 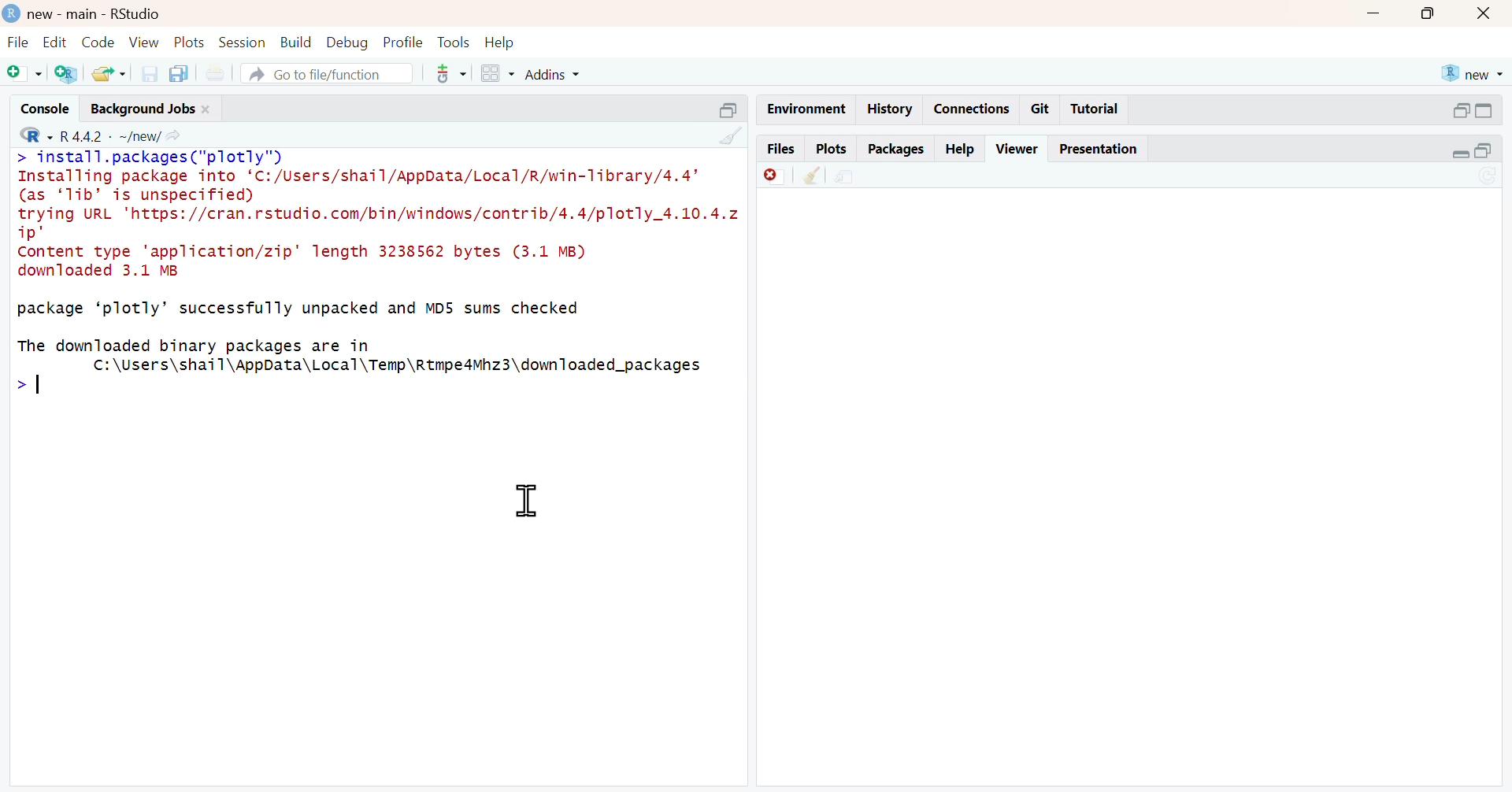 What do you see at coordinates (1494, 153) in the screenshot?
I see `maximize` at bounding box center [1494, 153].